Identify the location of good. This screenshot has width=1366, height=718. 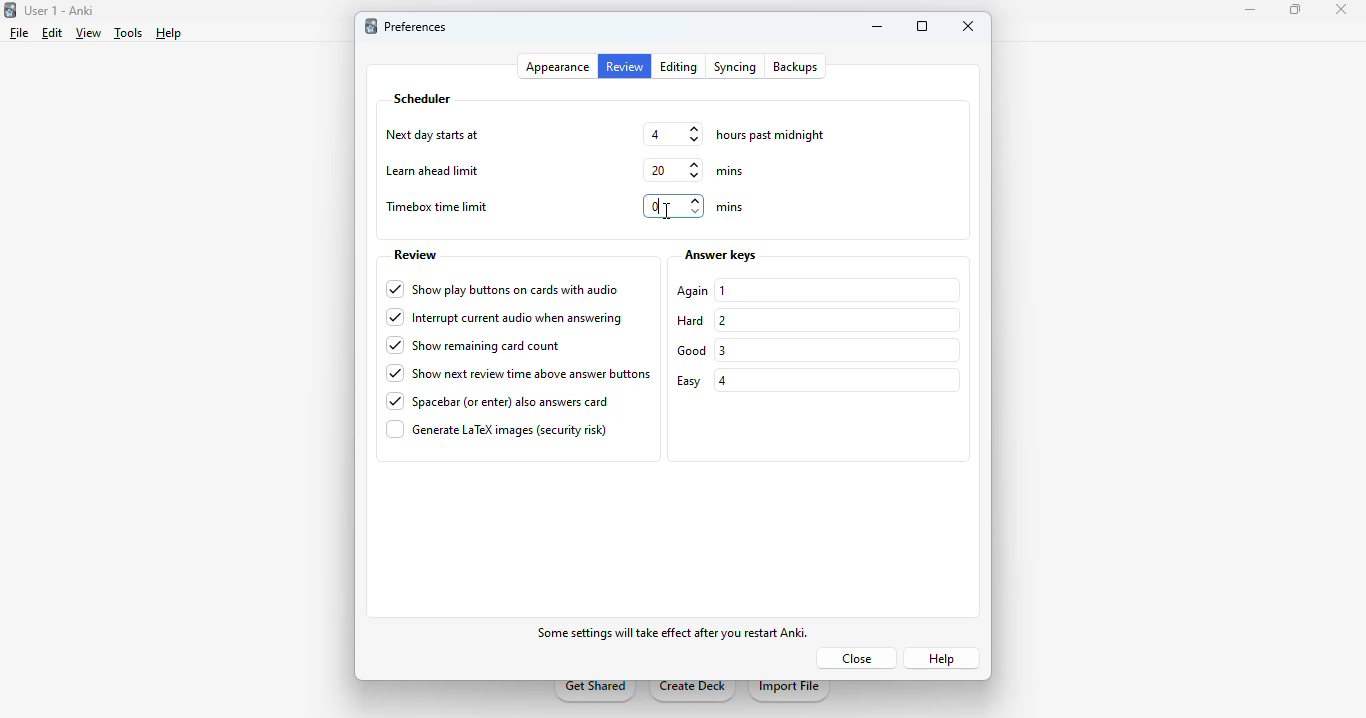
(693, 350).